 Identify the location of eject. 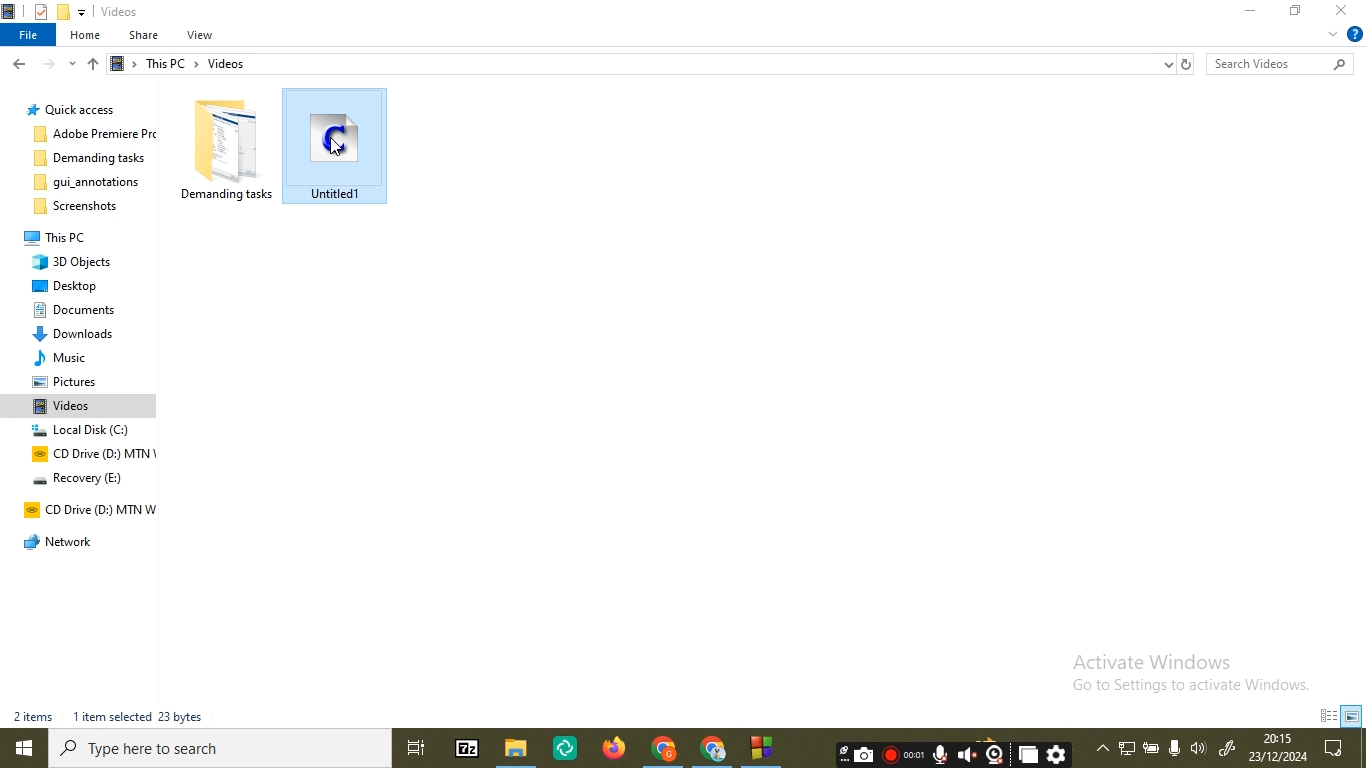
(84, 11).